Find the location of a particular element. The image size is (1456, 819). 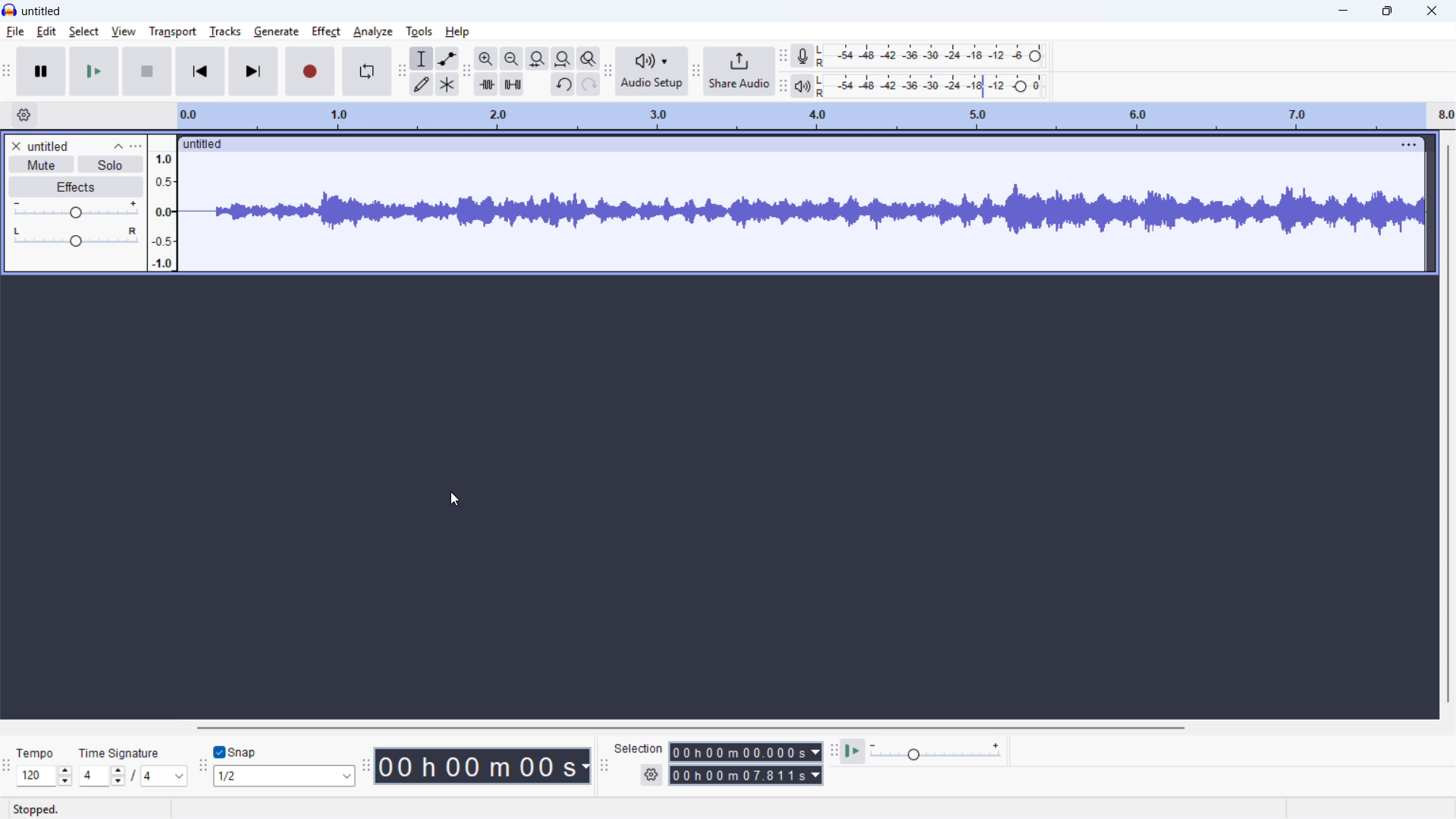

toggle snap is located at coordinates (237, 752).